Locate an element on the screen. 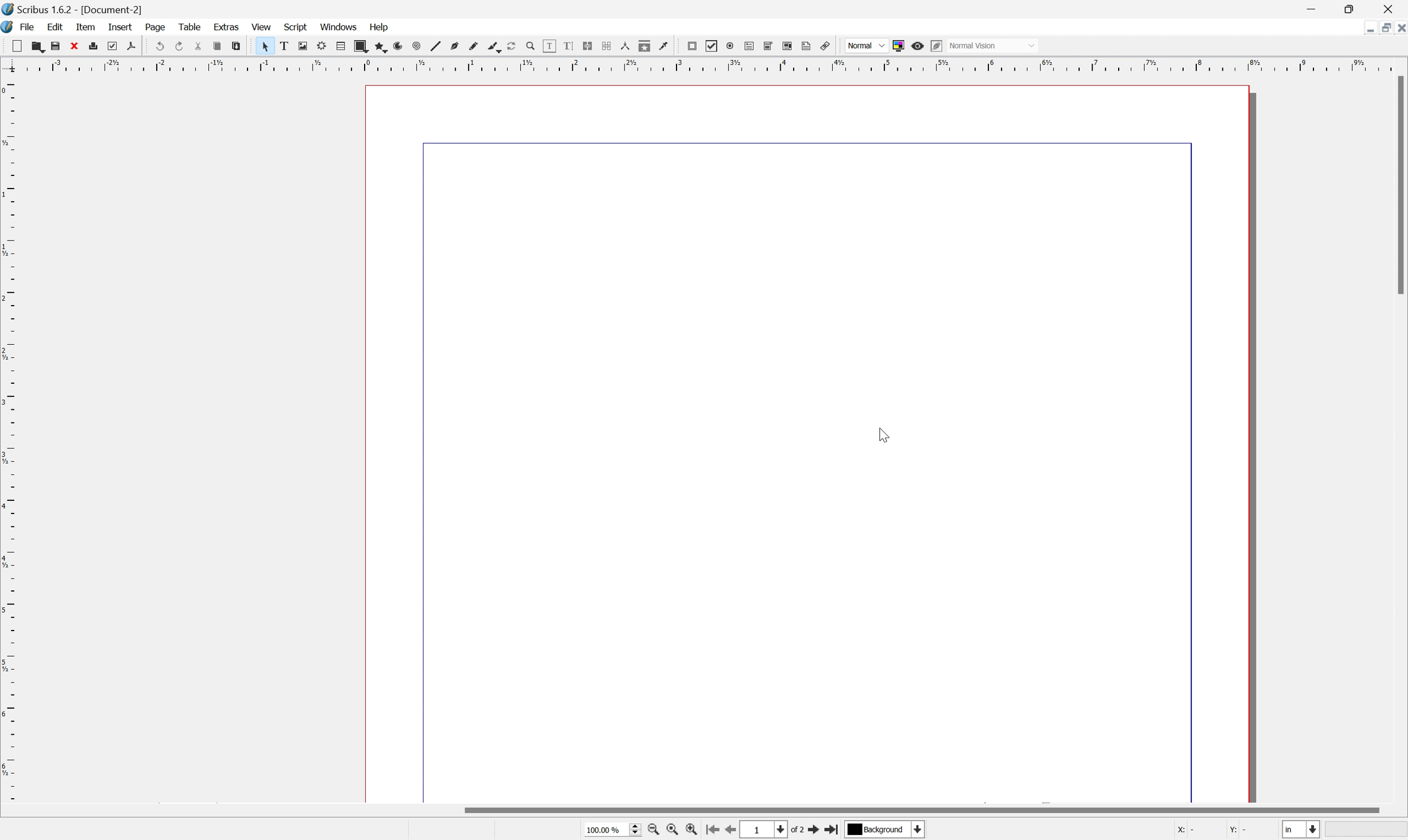  Table is located at coordinates (194, 29).